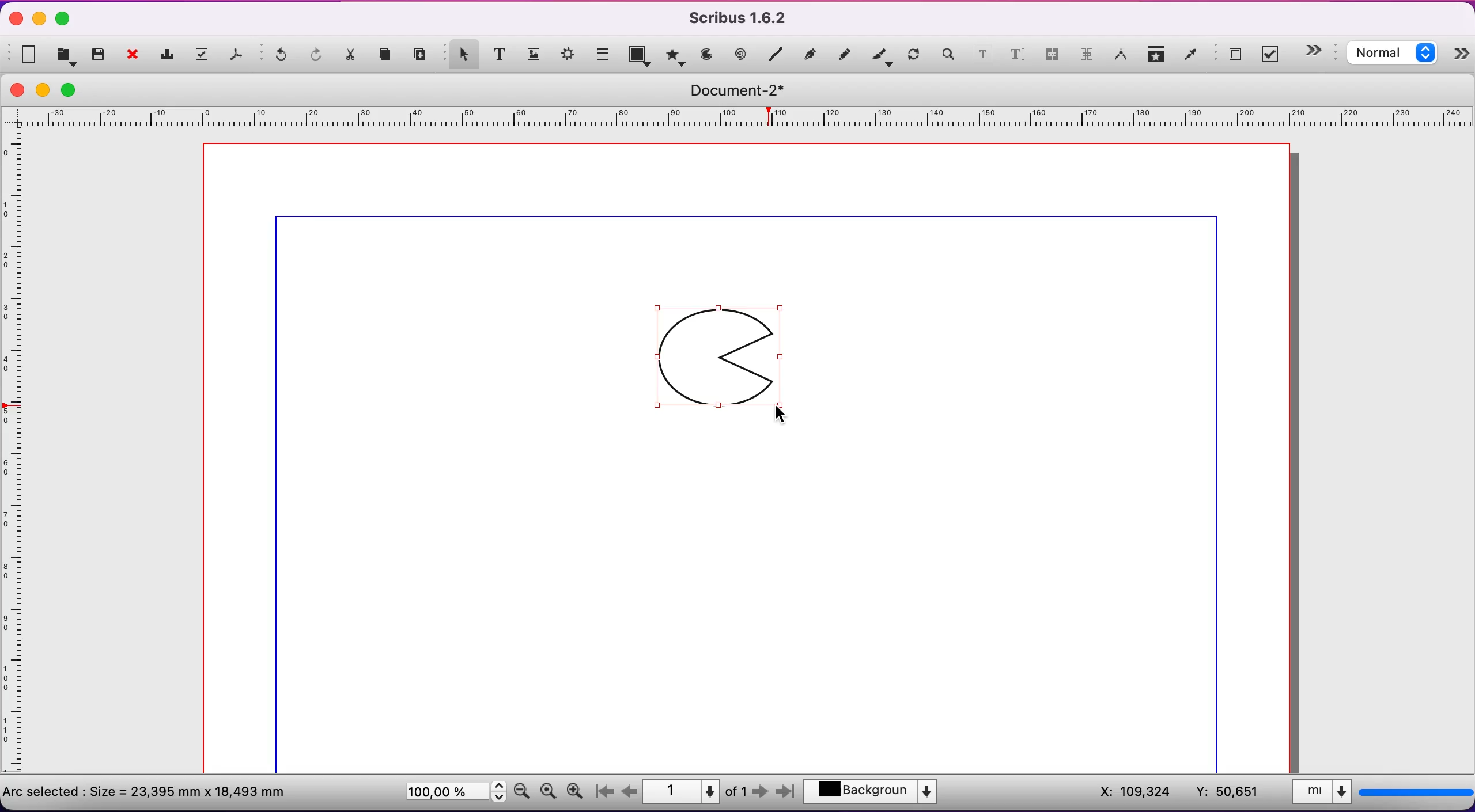 Image resolution: width=1475 pixels, height=812 pixels. What do you see at coordinates (740, 121) in the screenshot?
I see `horizontal measures` at bounding box center [740, 121].